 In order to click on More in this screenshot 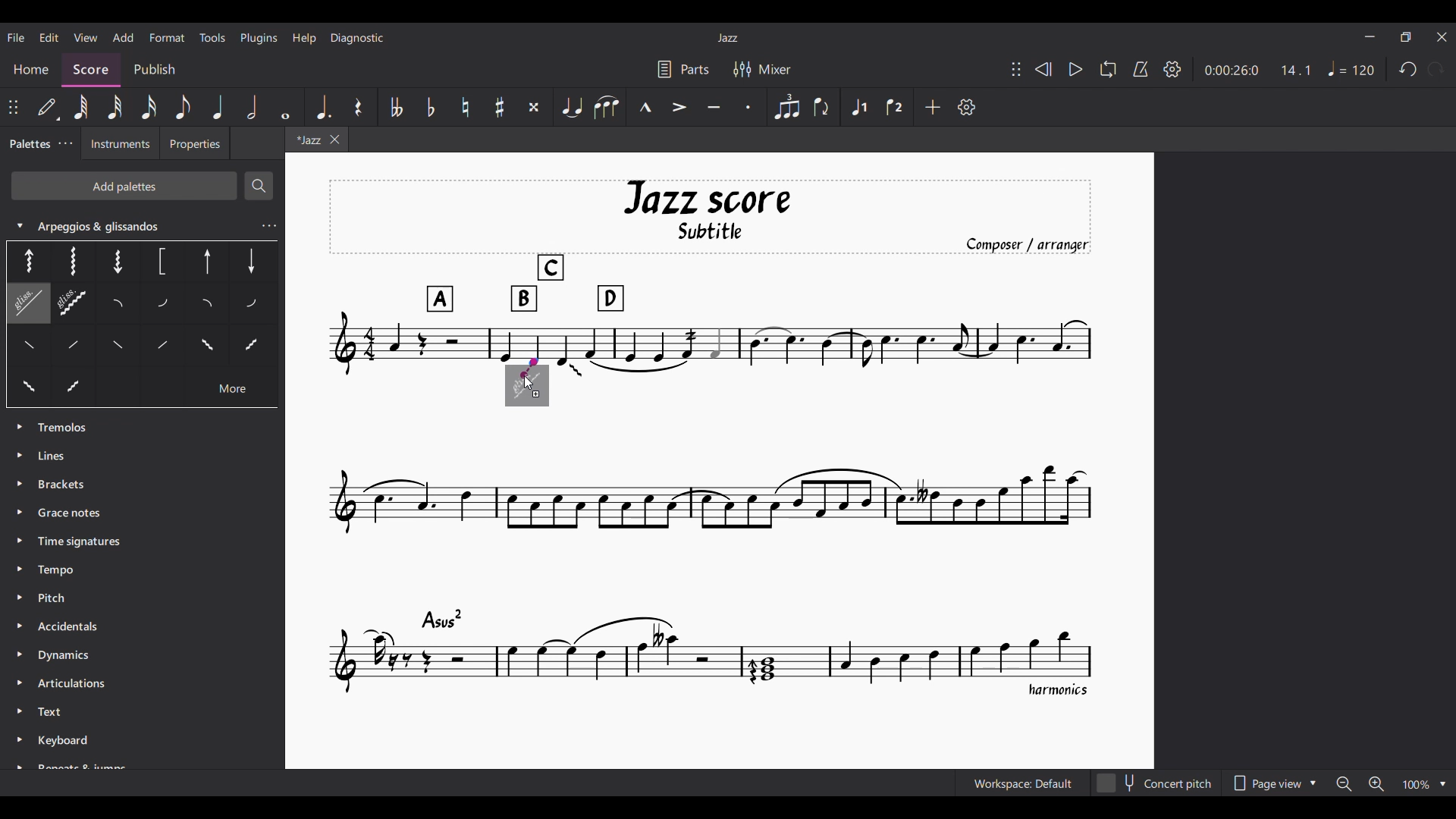, I will do `click(232, 391)`.